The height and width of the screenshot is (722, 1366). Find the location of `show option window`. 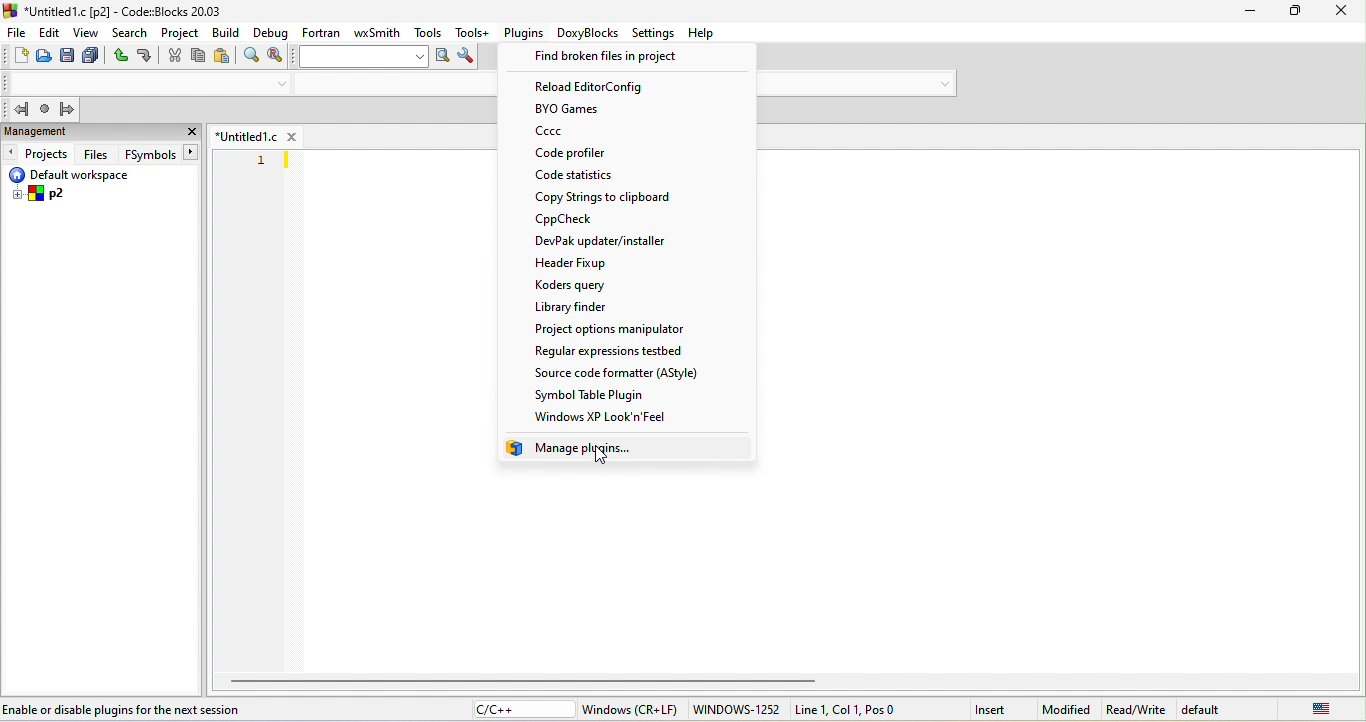

show option window is located at coordinates (467, 60).